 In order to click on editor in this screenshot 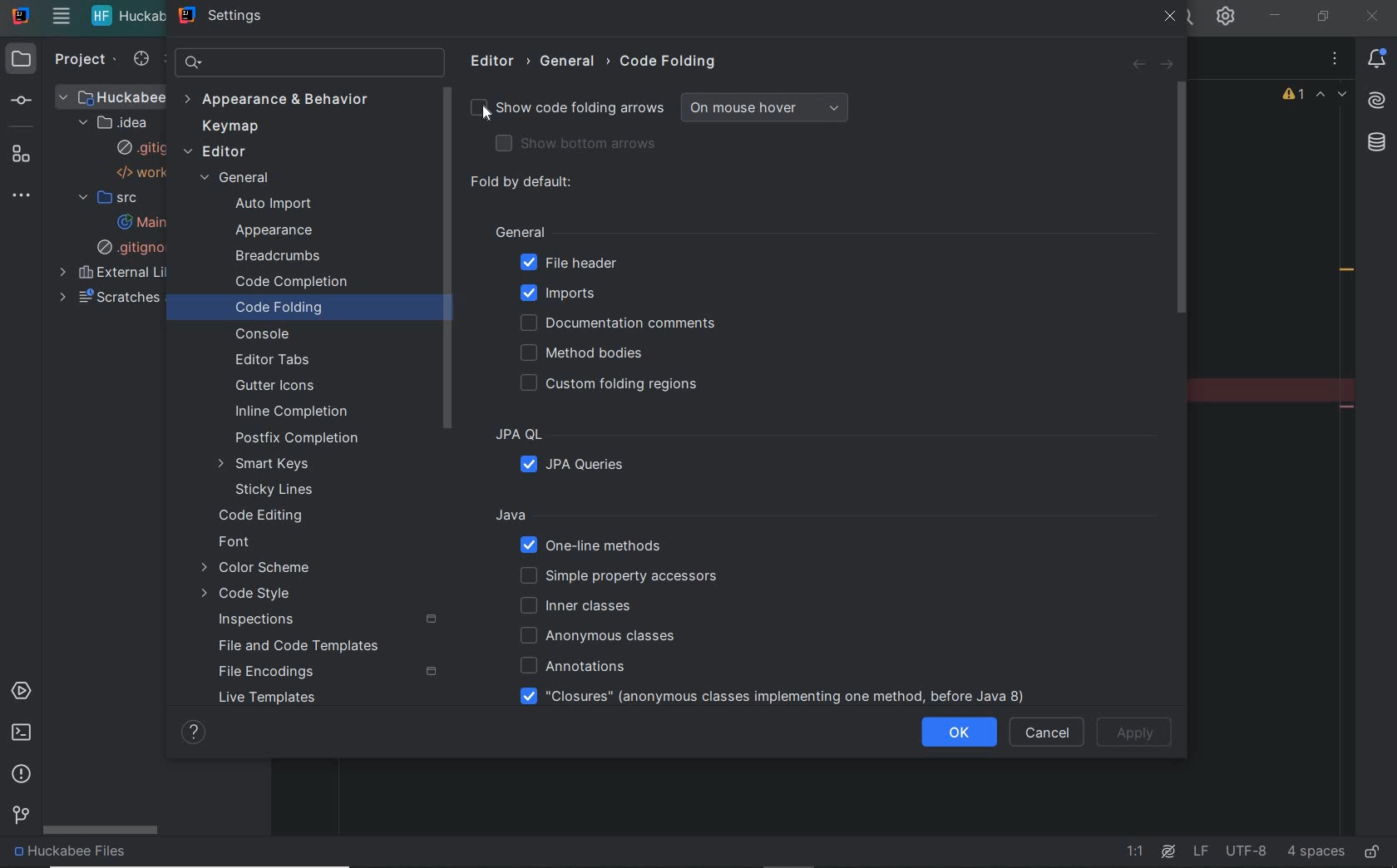, I will do `click(220, 151)`.